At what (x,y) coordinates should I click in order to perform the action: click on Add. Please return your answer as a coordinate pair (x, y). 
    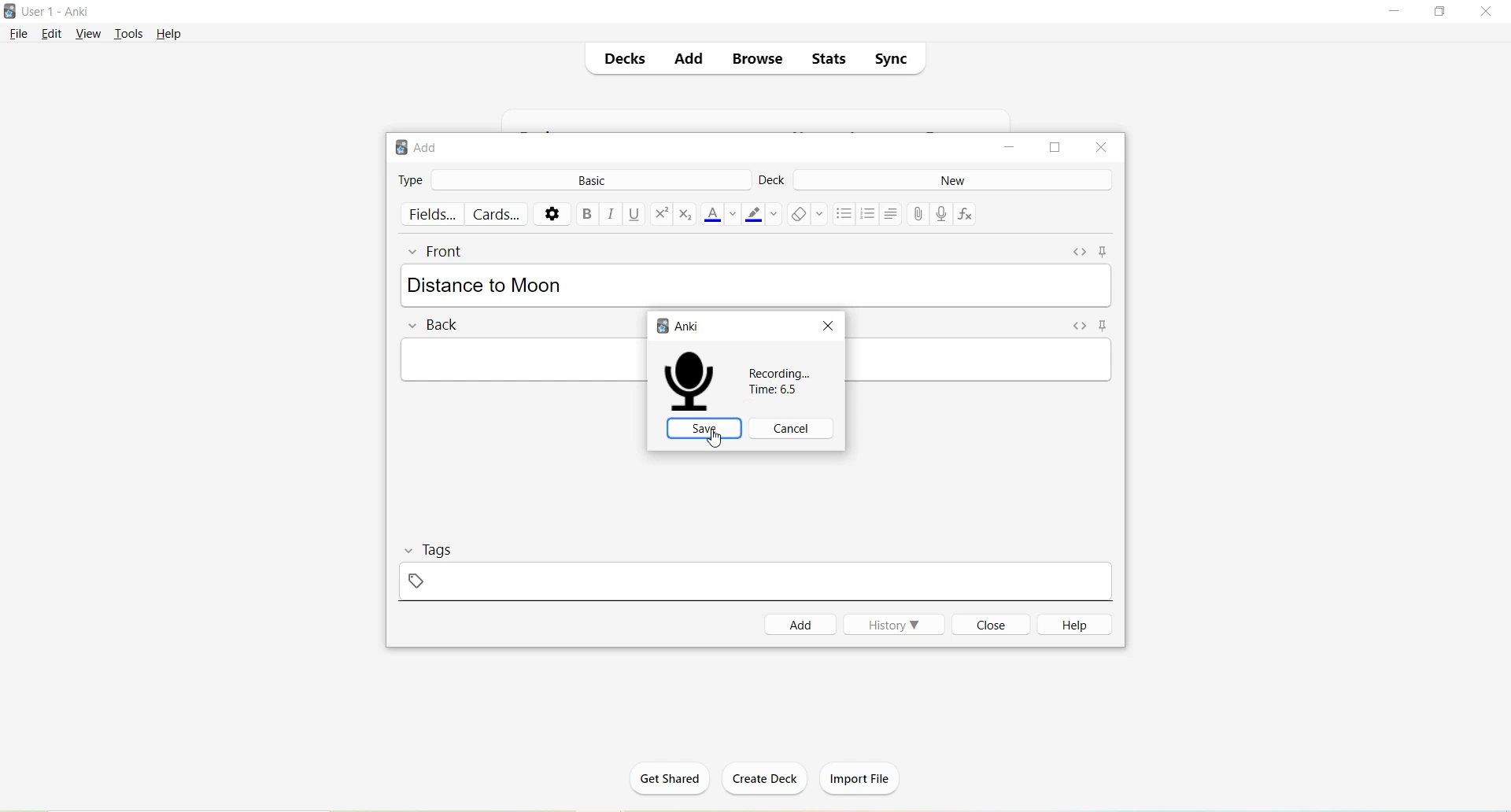
    Looking at the image, I should click on (801, 625).